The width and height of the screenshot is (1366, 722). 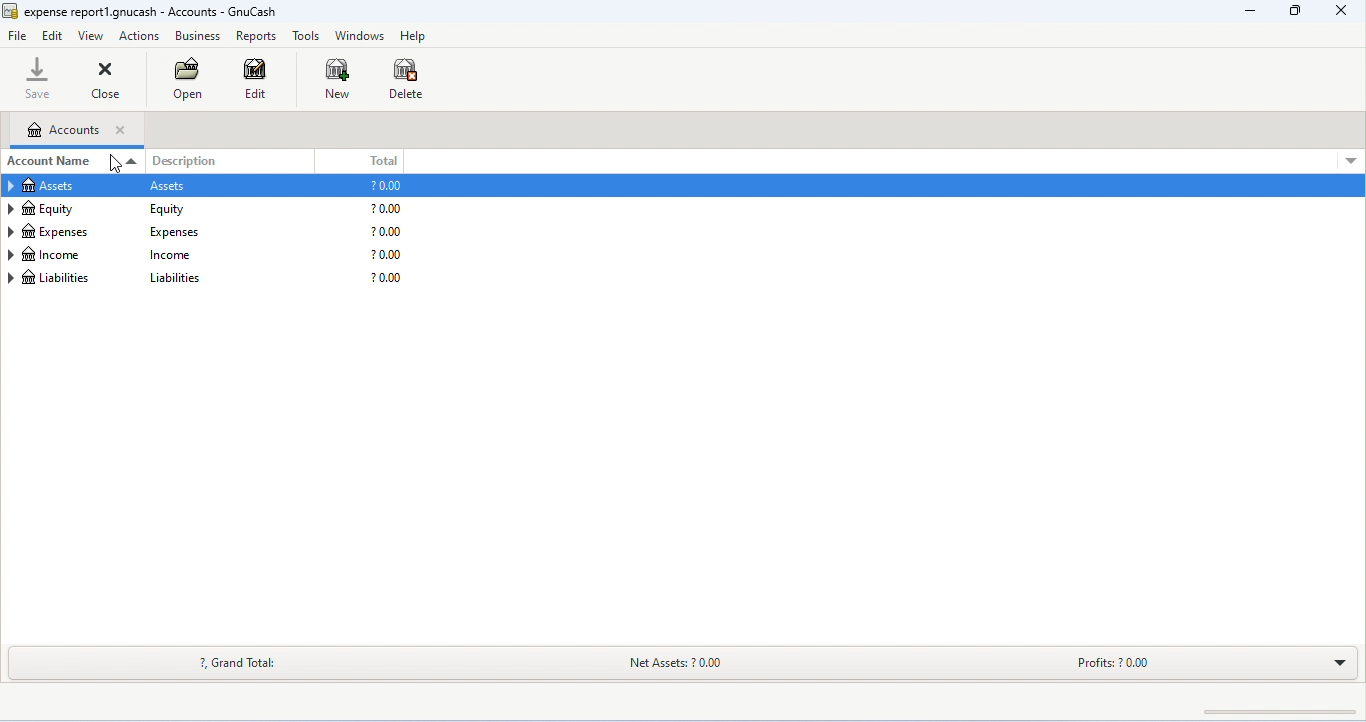 What do you see at coordinates (414, 37) in the screenshot?
I see `help` at bounding box center [414, 37].